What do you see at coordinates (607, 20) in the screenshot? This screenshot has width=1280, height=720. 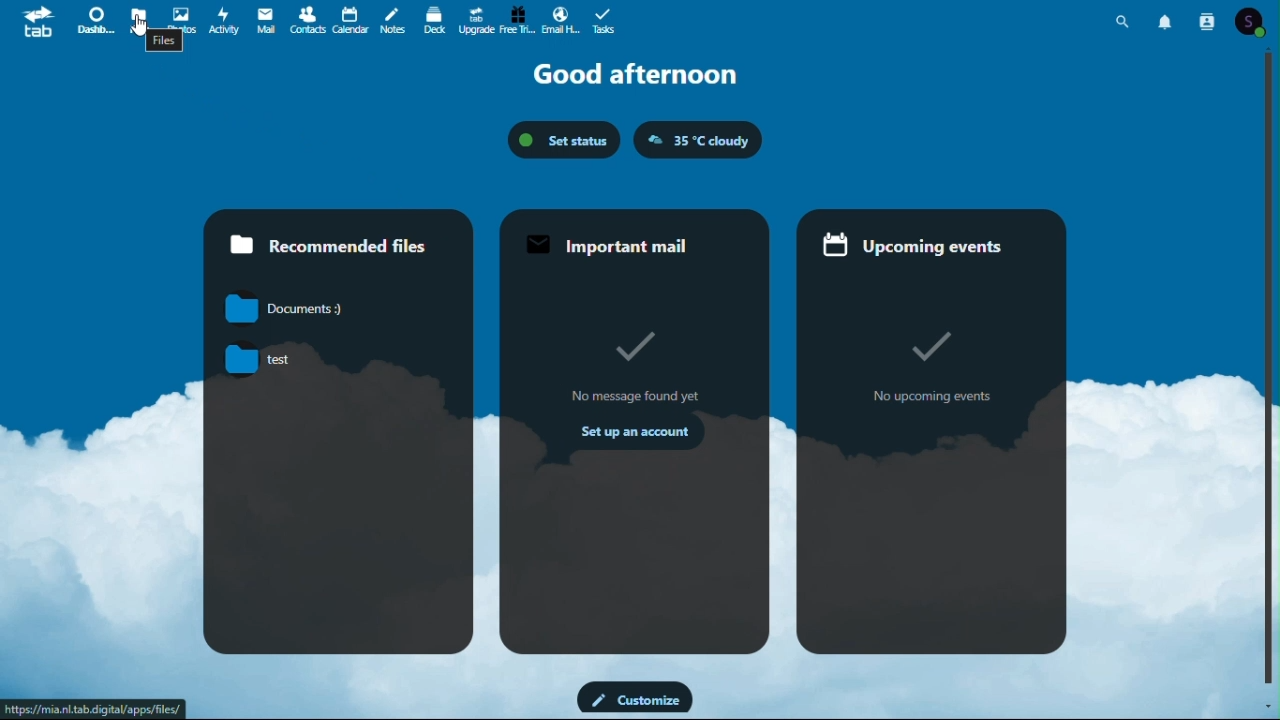 I see `tasks` at bounding box center [607, 20].